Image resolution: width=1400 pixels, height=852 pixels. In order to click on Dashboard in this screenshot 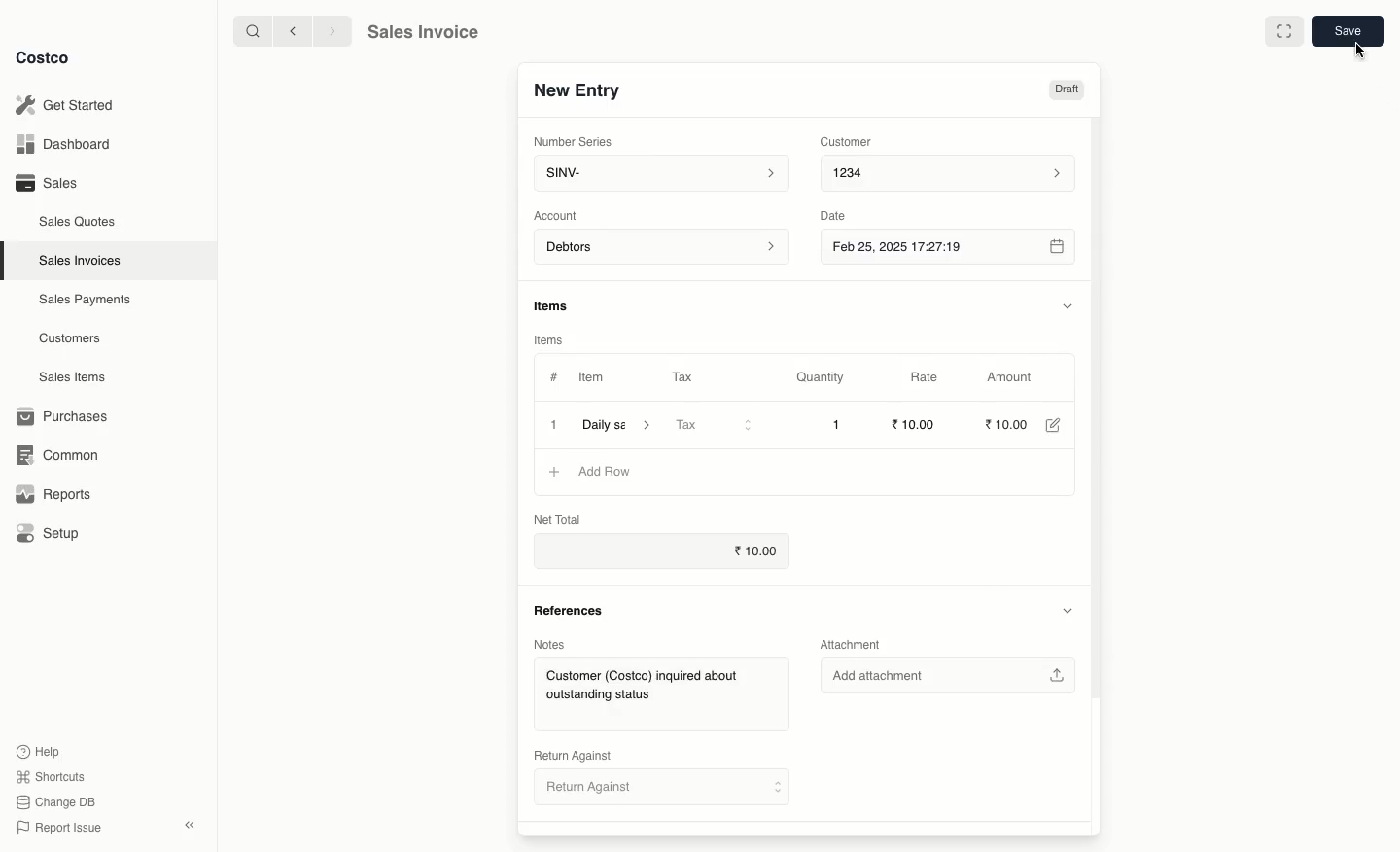, I will do `click(68, 142)`.